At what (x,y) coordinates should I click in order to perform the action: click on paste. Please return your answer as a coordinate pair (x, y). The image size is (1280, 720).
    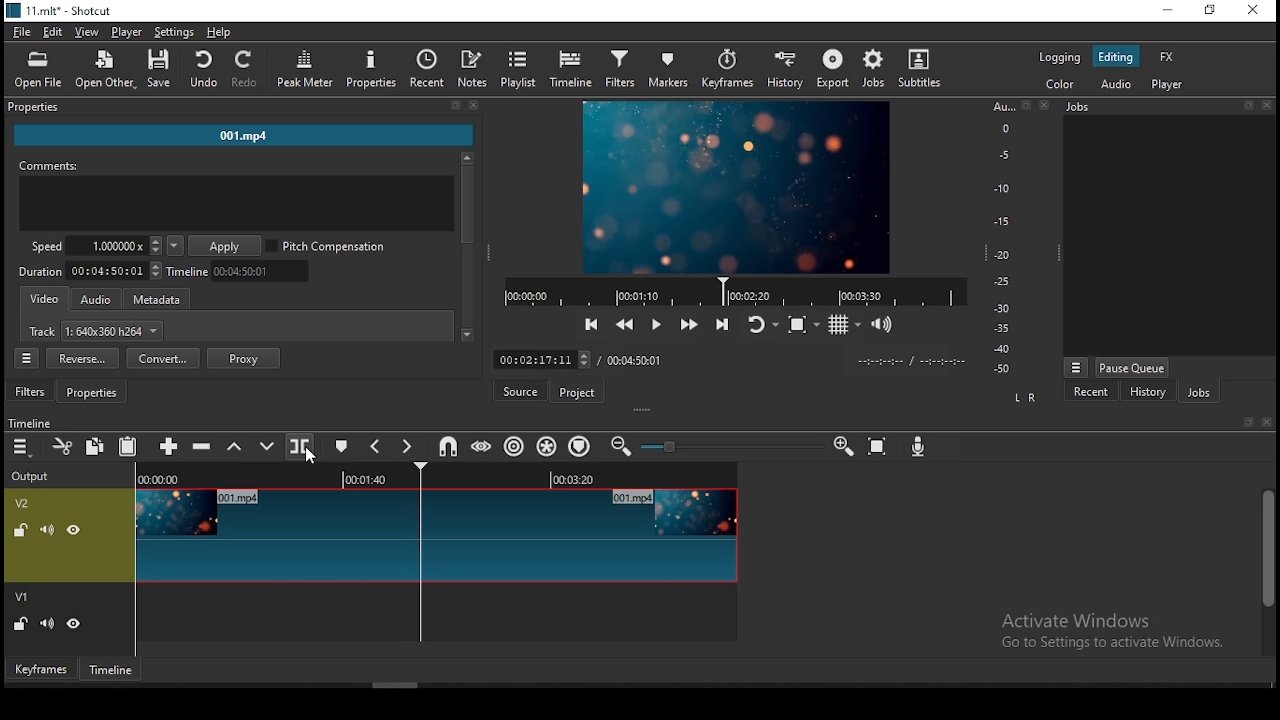
    Looking at the image, I should click on (127, 449).